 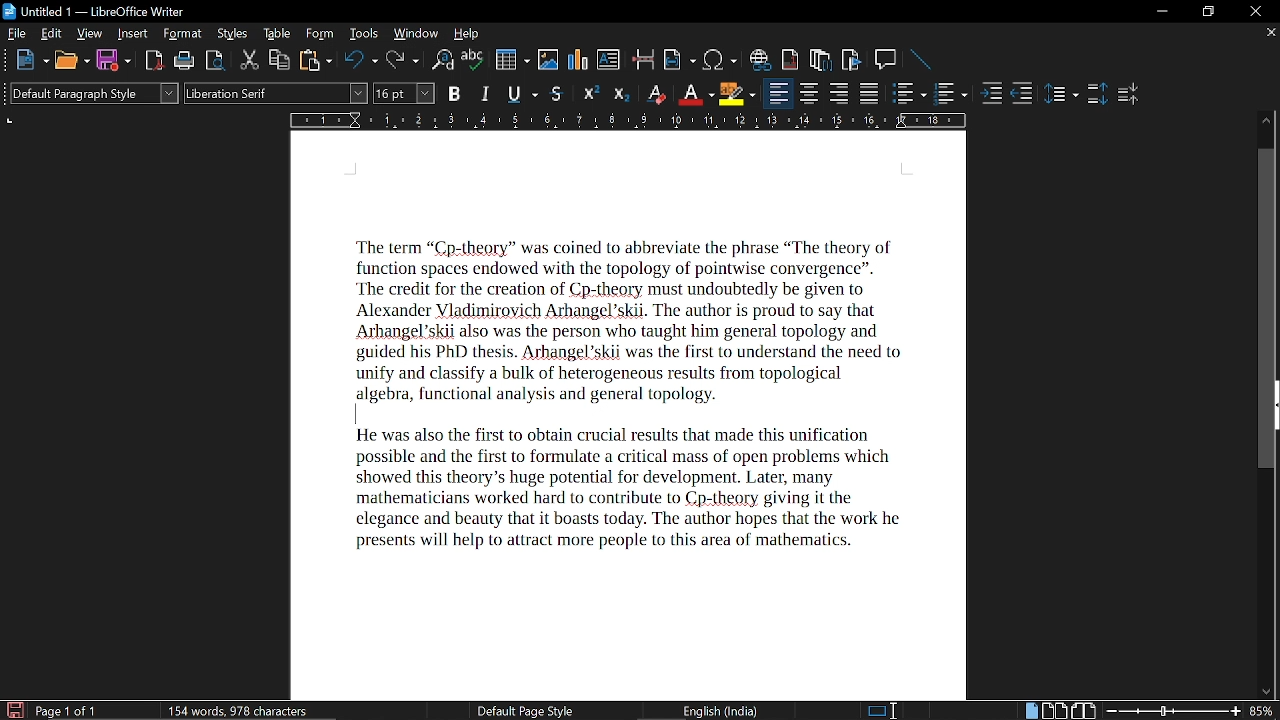 I want to click on Strikethrough, so click(x=558, y=94).